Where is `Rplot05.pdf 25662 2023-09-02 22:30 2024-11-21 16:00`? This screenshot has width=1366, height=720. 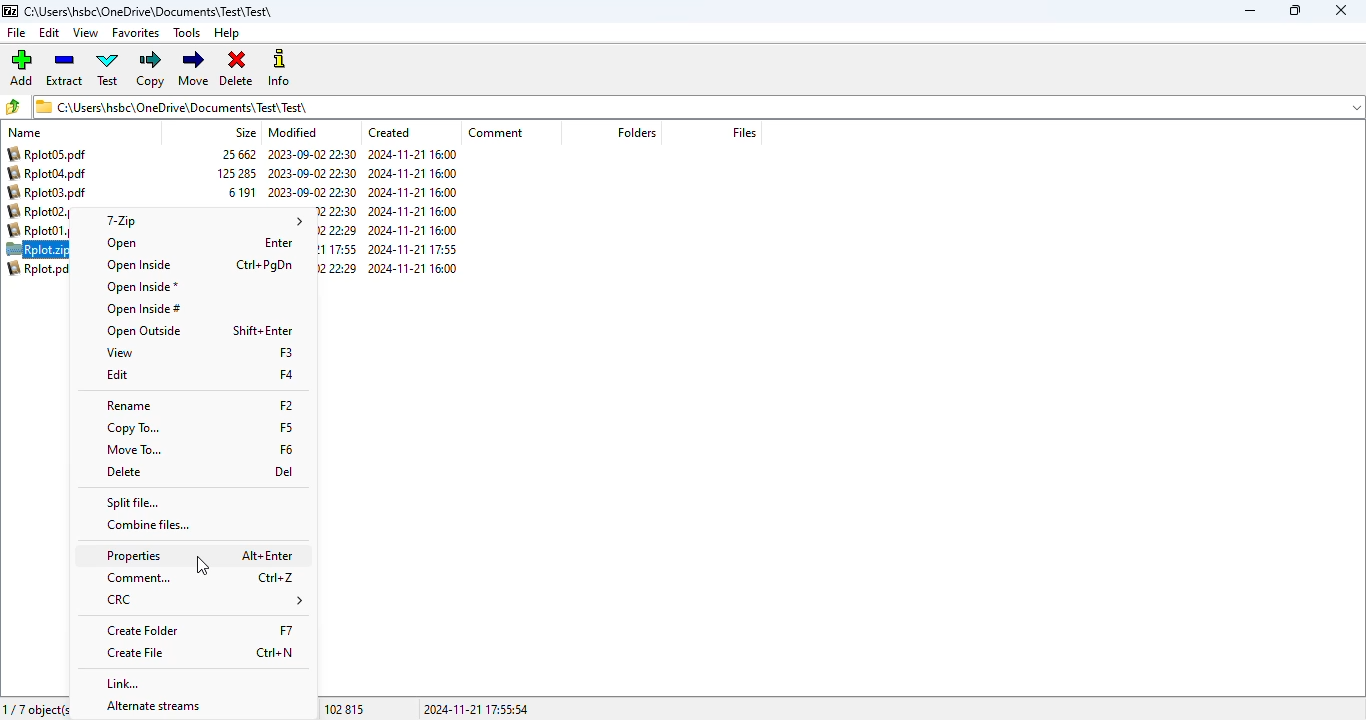
Rplot05.pdf 25662 2023-09-02 22:30 2024-11-21 16:00 is located at coordinates (231, 155).